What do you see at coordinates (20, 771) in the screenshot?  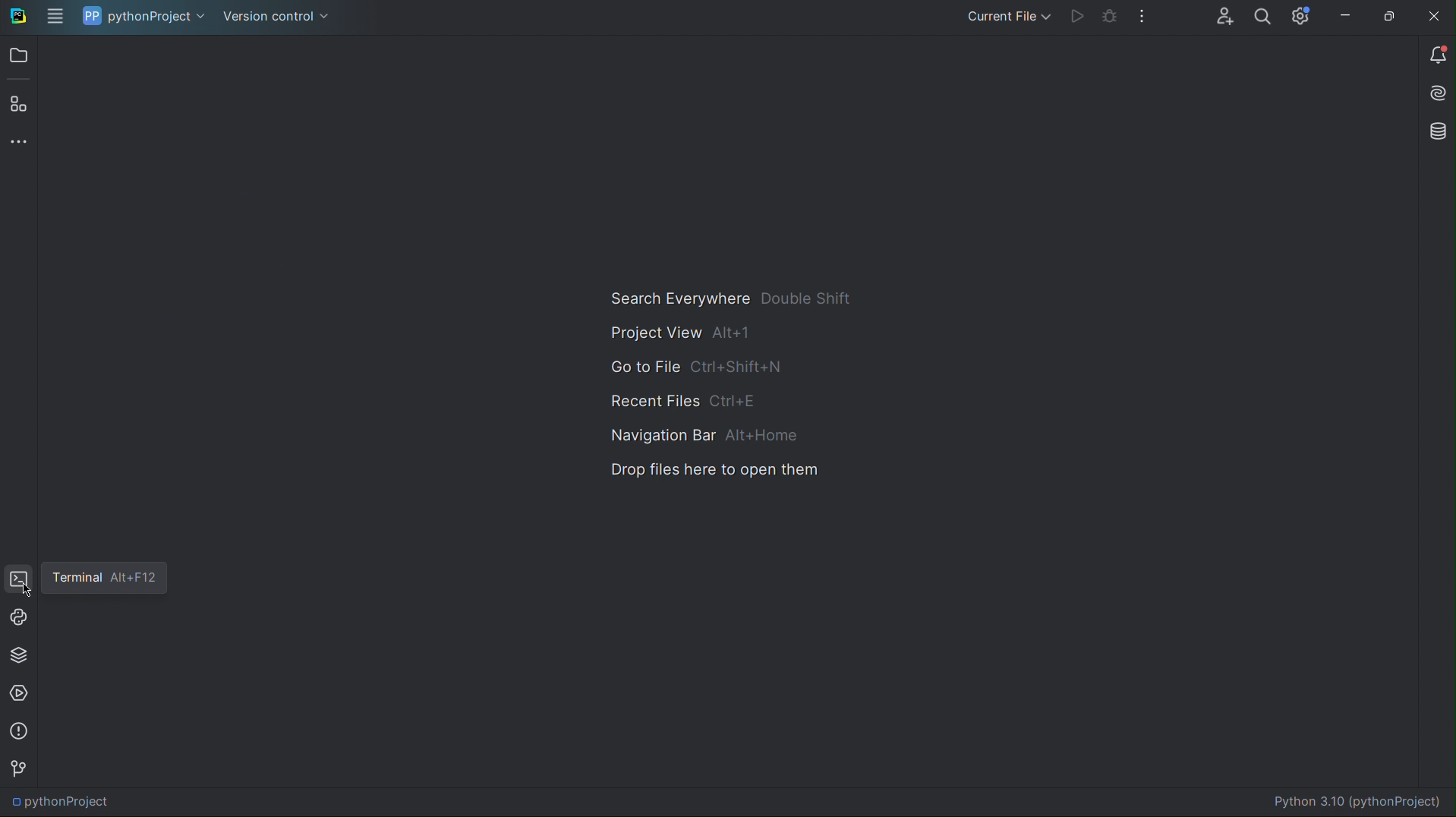 I see `Version Control` at bounding box center [20, 771].